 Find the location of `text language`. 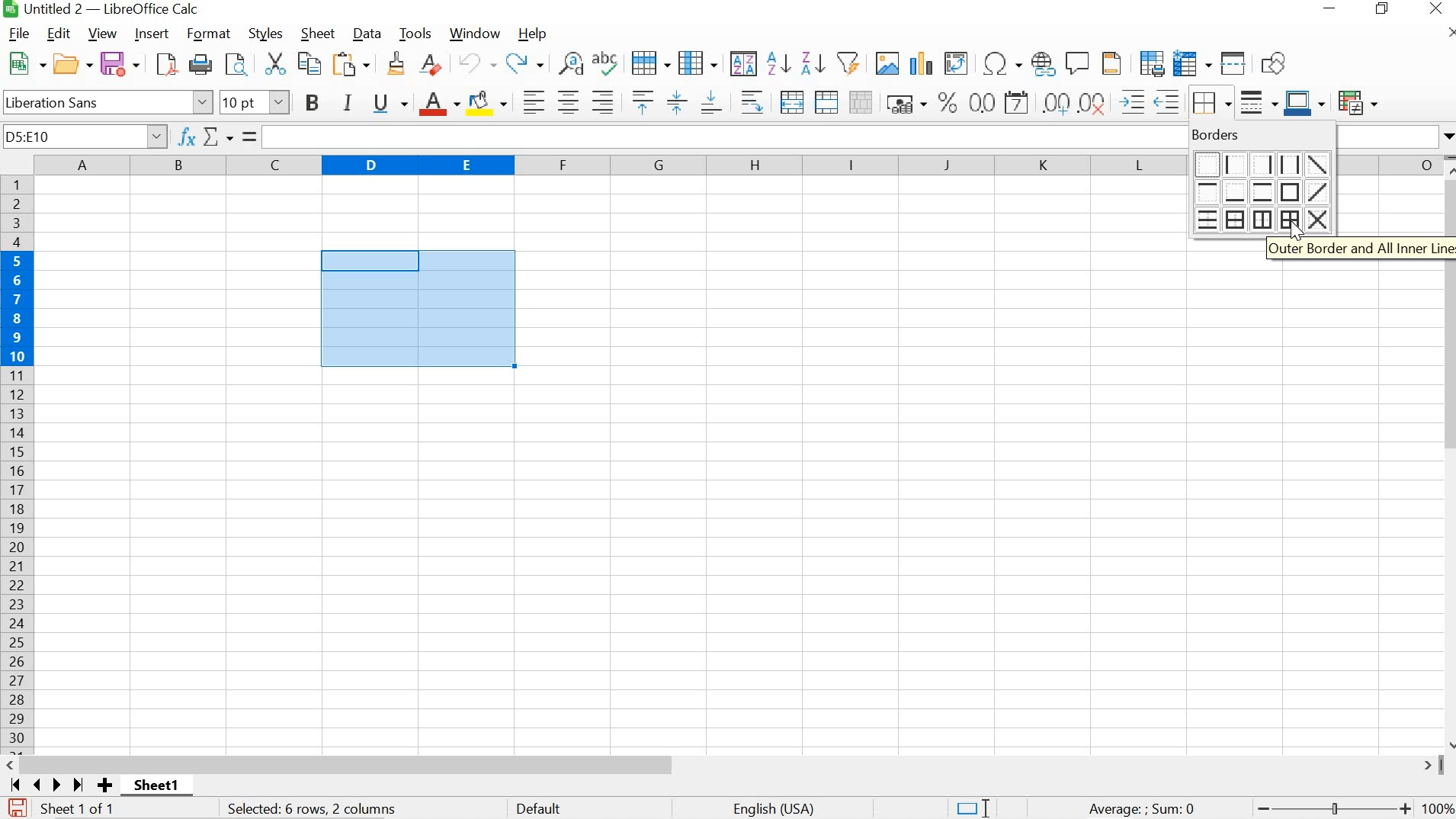

text language is located at coordinates (776, 809).